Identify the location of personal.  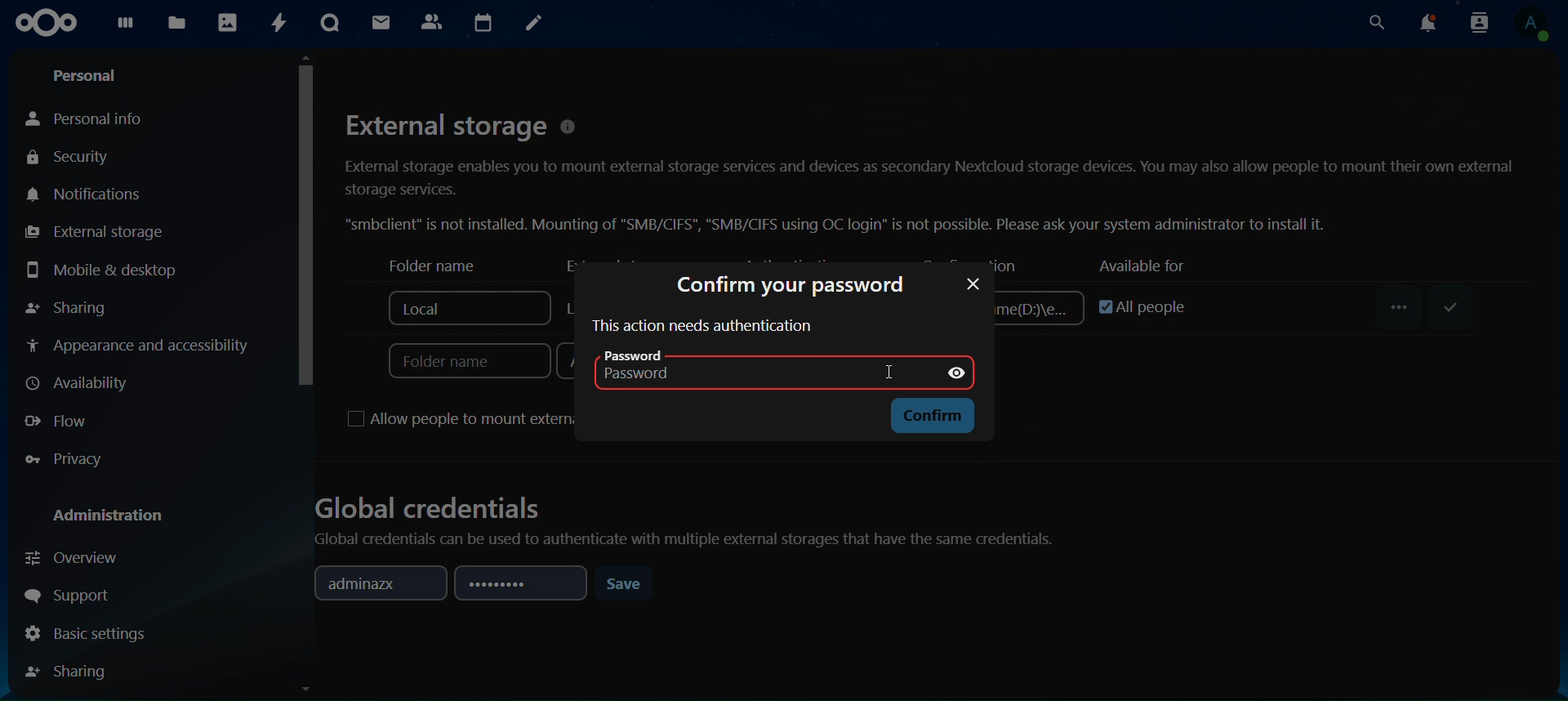
(87, 73).